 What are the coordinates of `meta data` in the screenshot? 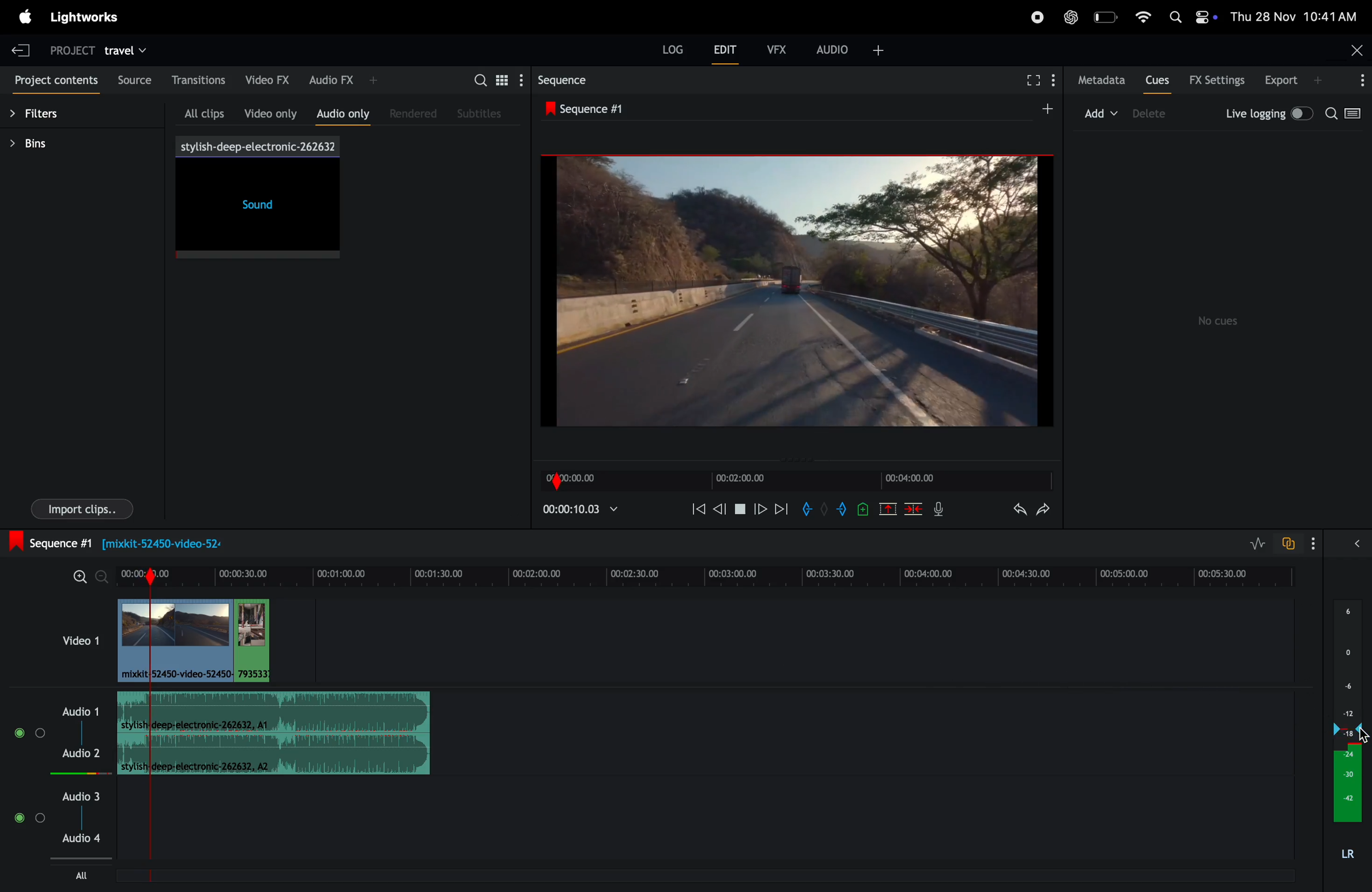 It's located at (1099, 80).